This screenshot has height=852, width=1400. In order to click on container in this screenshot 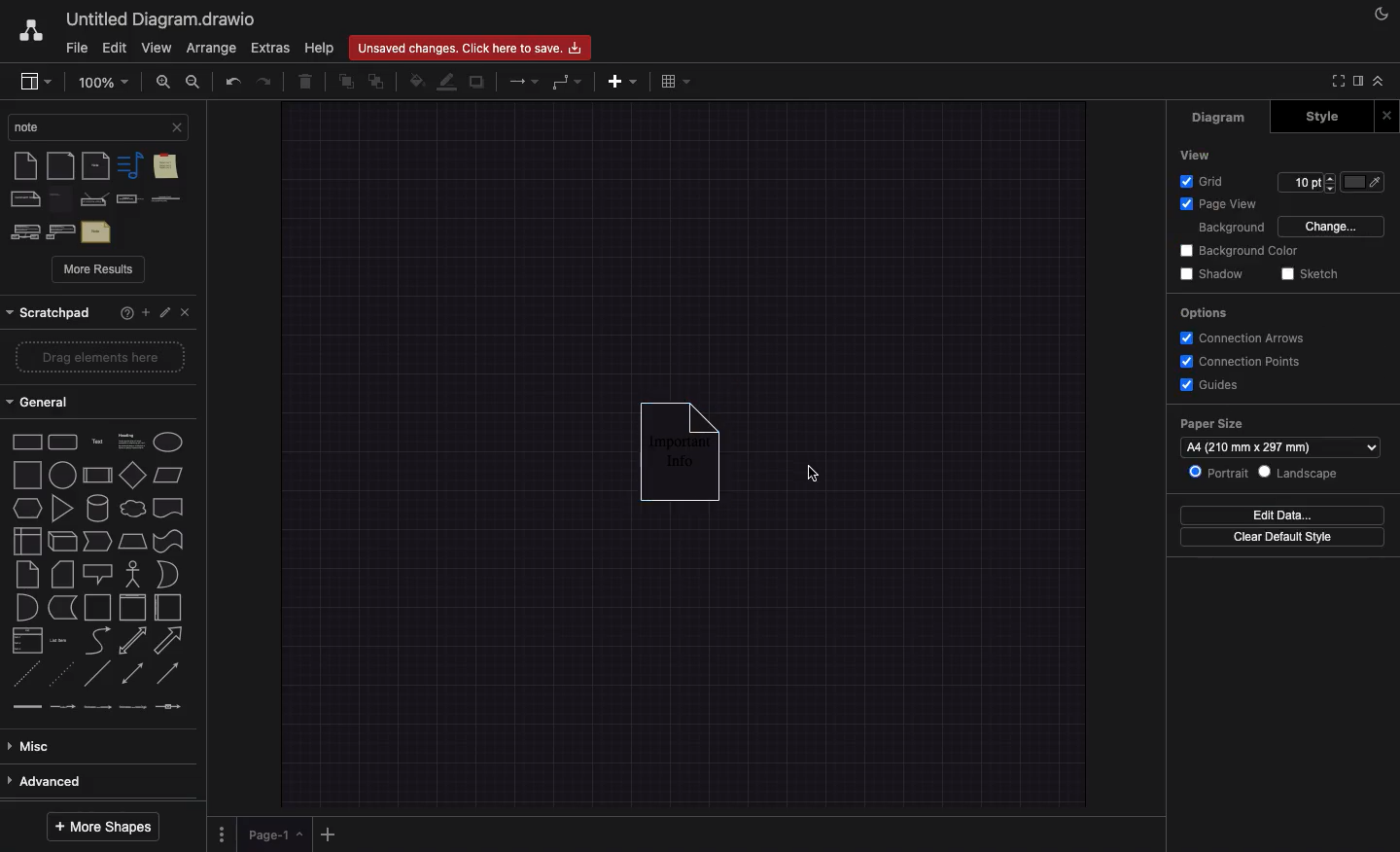, I will do `click(97, 607)`.